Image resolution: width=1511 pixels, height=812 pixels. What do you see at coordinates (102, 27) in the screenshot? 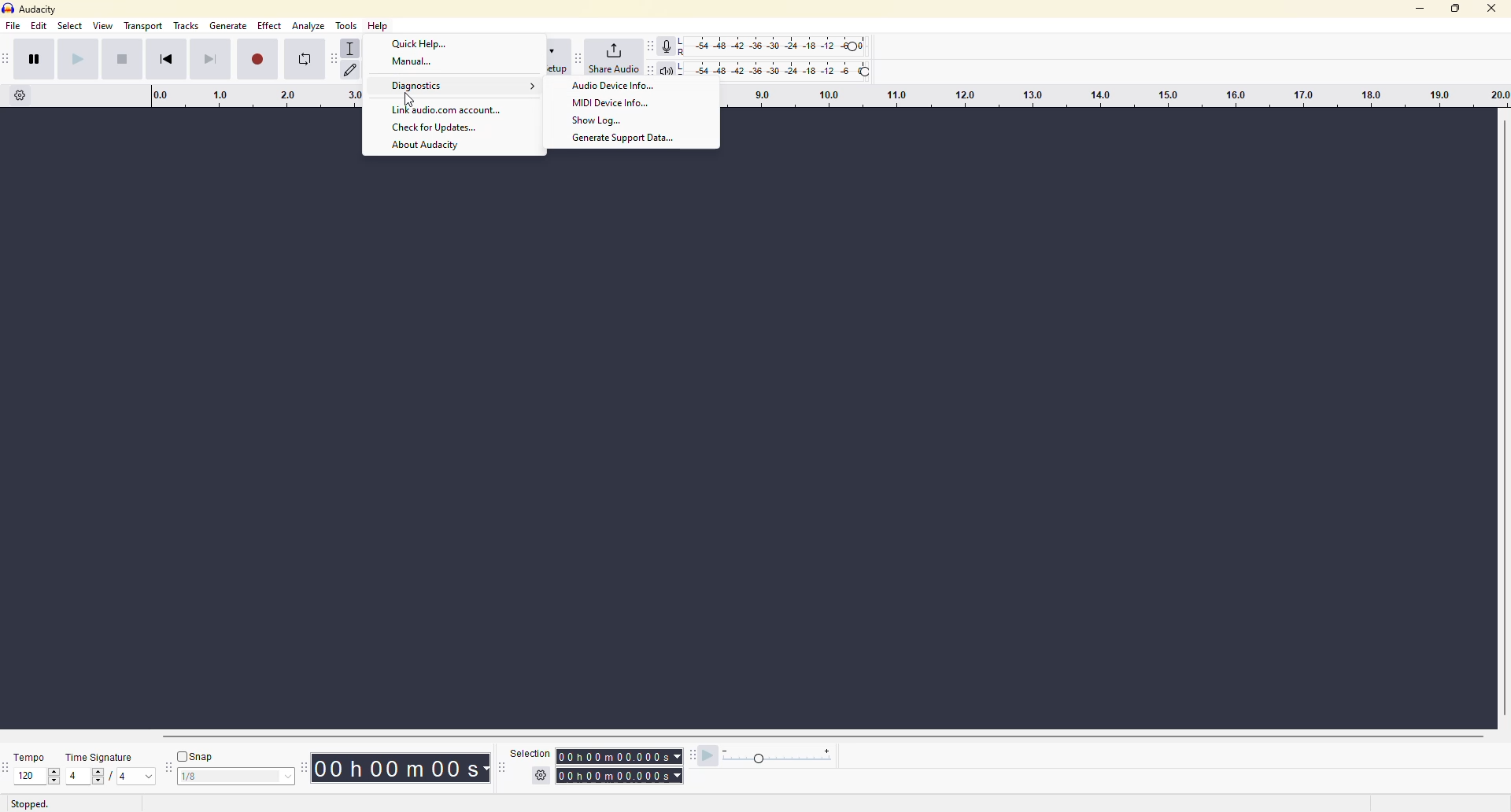
I see `view` at bounding box center [102, 27].